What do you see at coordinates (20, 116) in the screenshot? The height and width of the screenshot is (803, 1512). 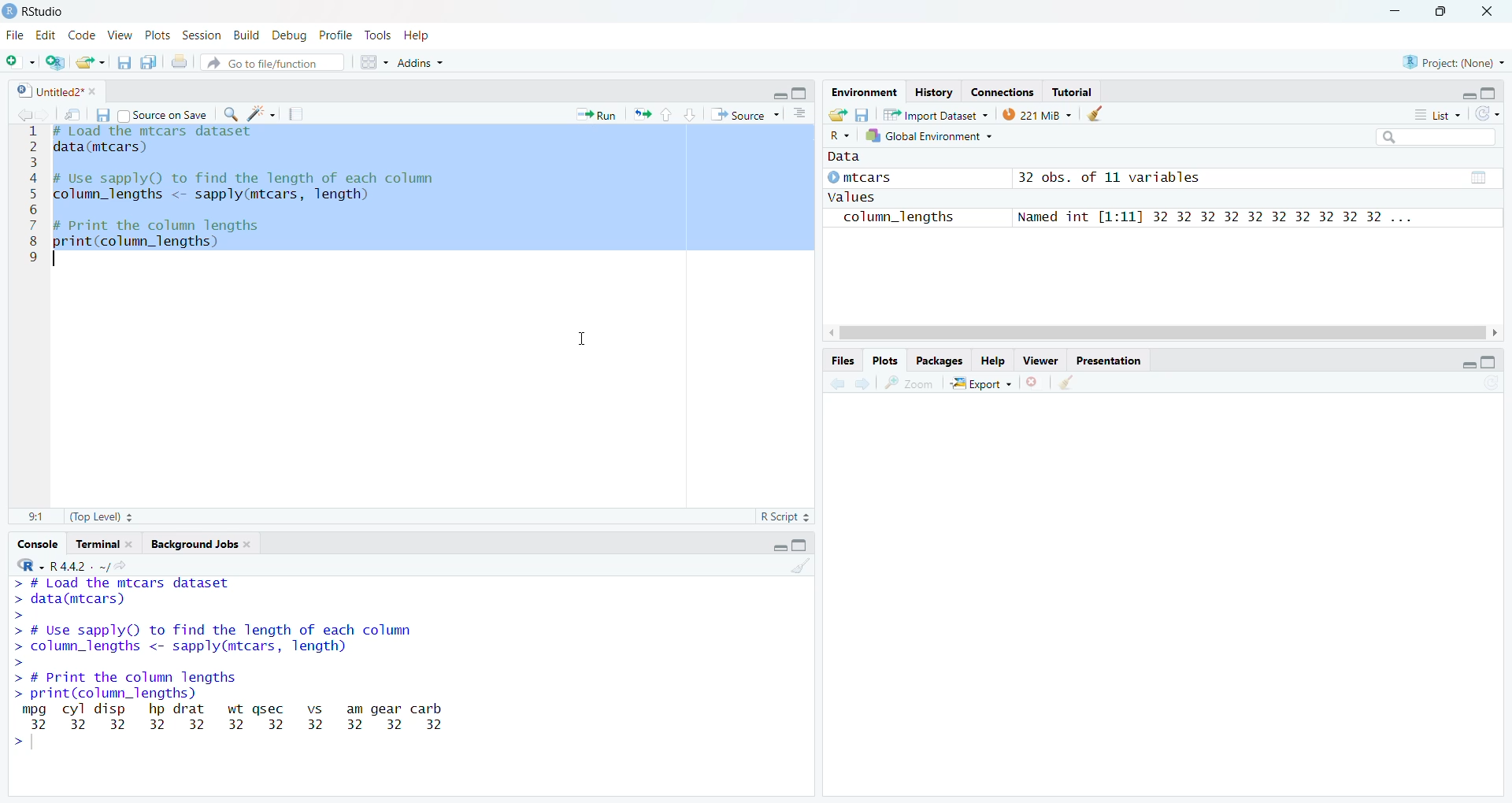 I see `Go to previous source location` at bounding box center [20, 116].